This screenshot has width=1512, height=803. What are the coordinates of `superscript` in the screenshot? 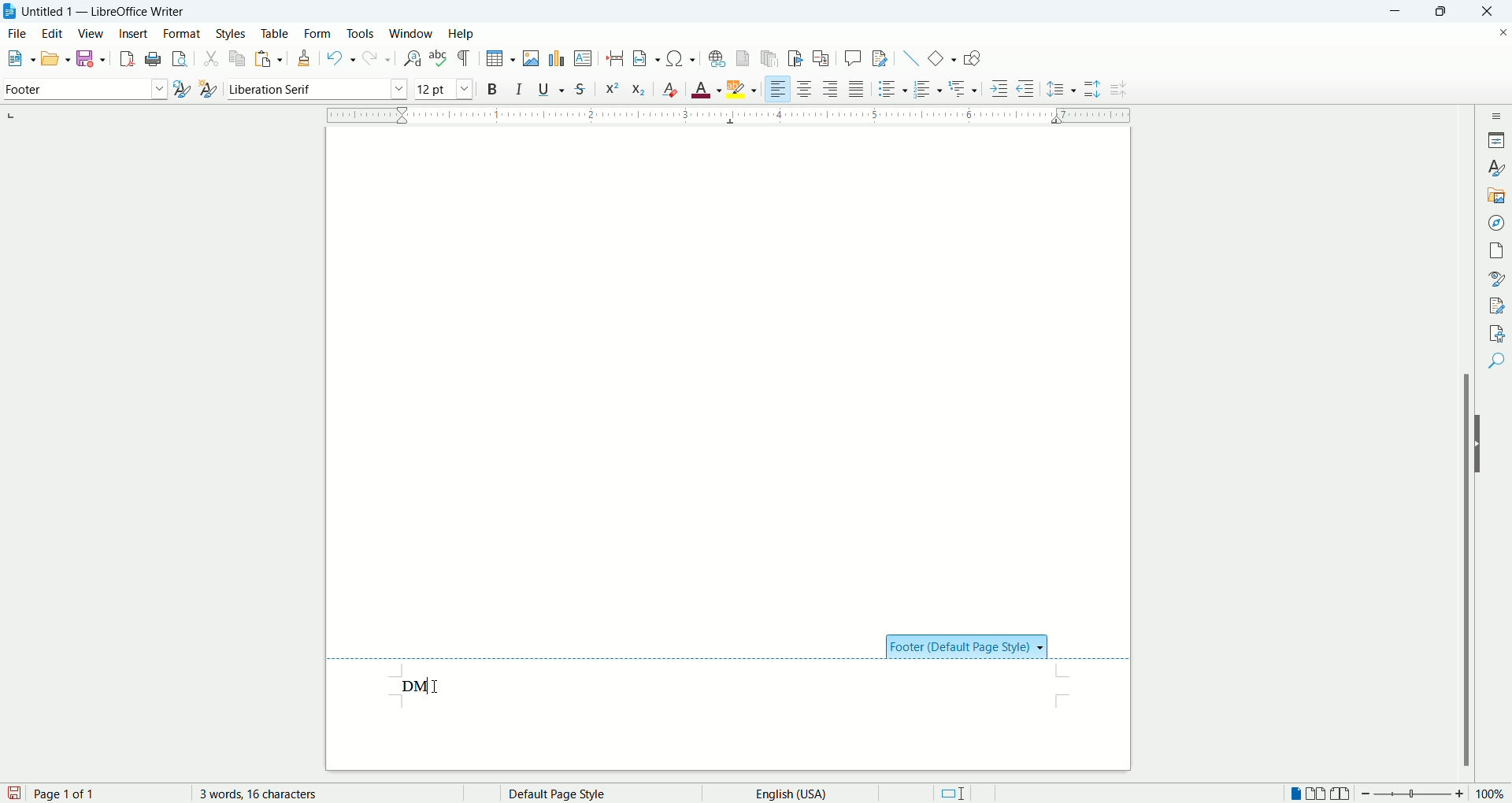 It's located at (610, 87).